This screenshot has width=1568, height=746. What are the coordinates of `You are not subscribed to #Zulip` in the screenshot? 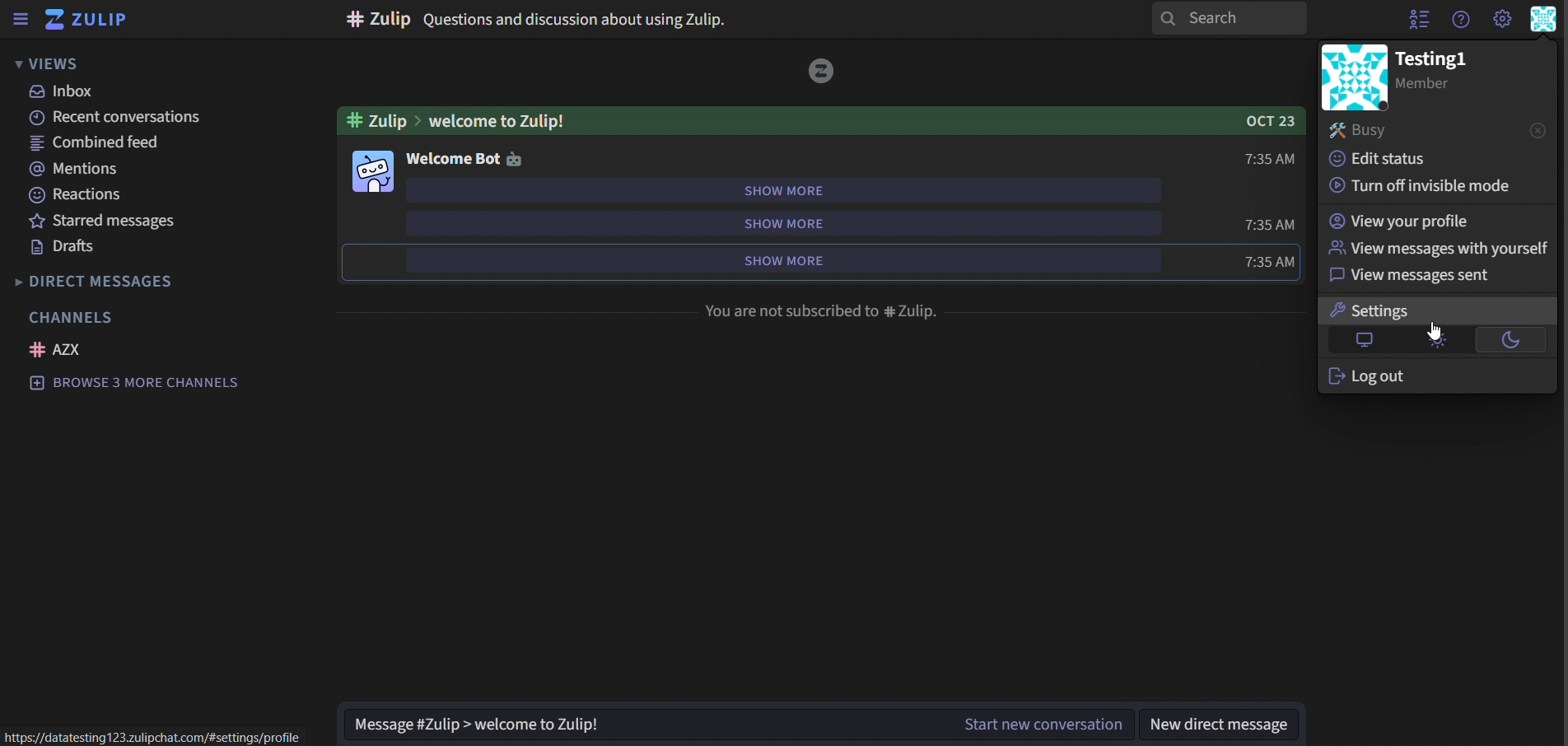 It's located at (827, 311).